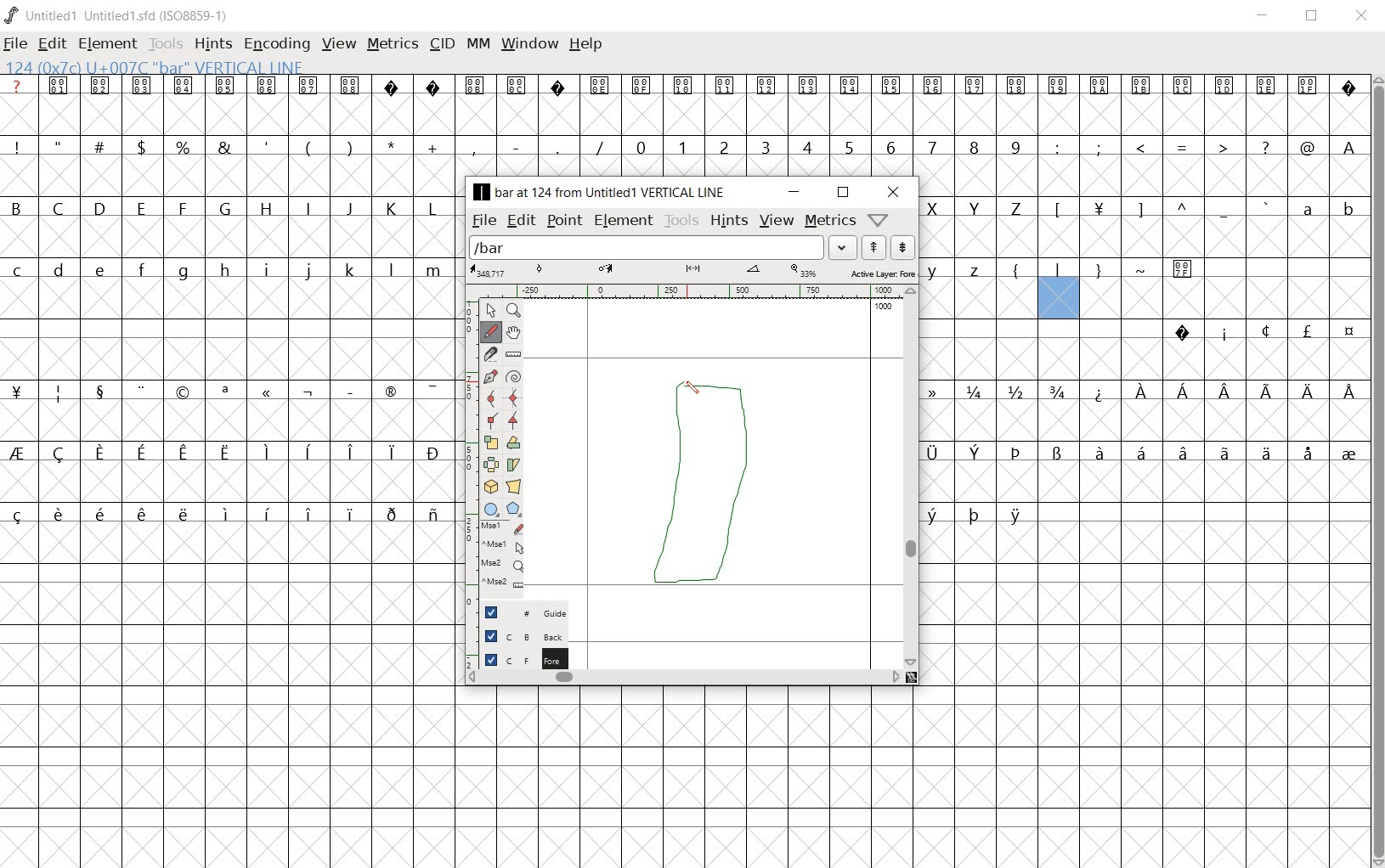 This screenshot has width=1385, height=868. What do you see at coordinates (682, 290) in the screenshot?
I see `ruler` at bounding box center [682, 290].